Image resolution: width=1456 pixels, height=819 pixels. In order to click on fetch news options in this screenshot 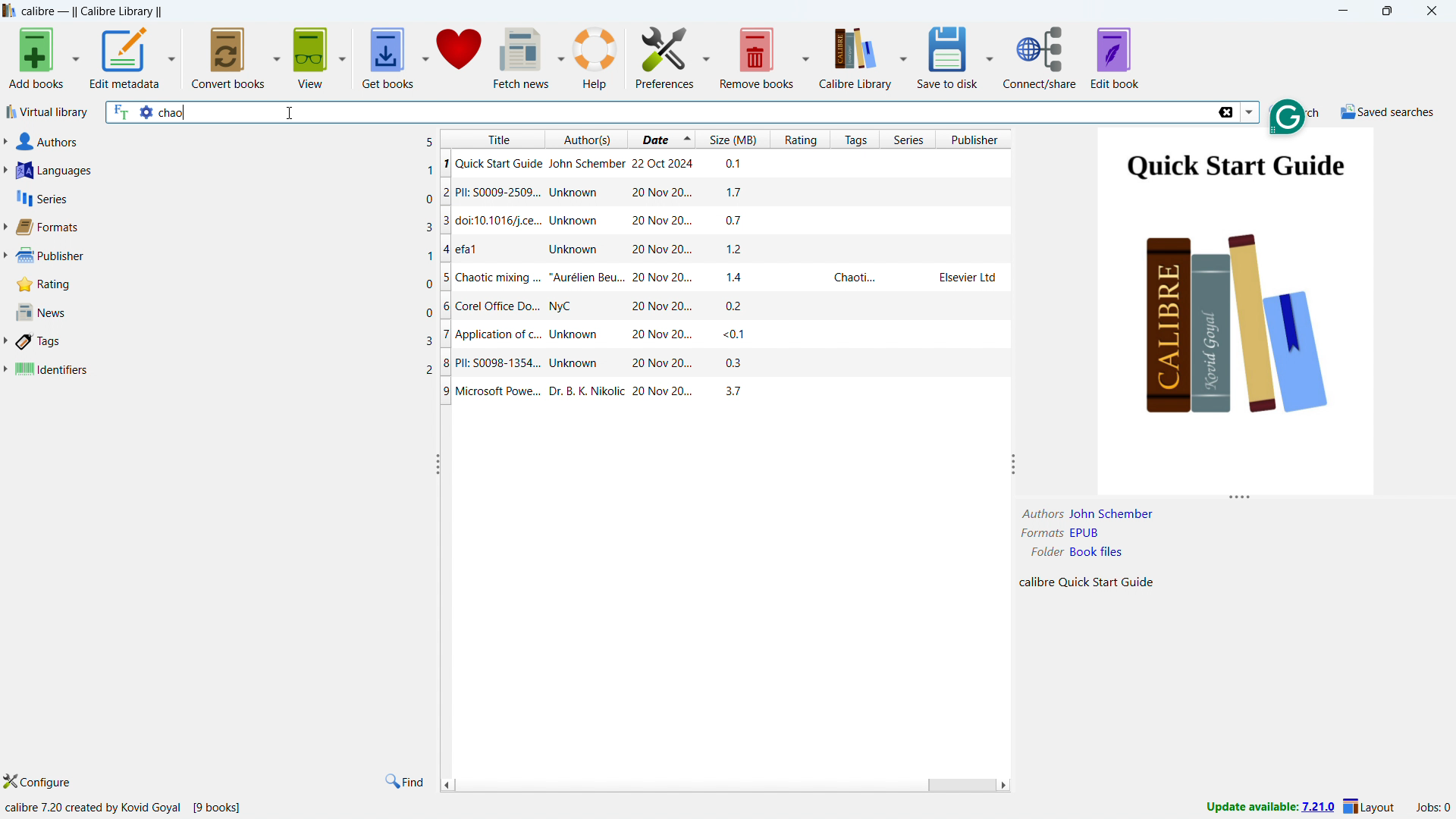, I will do `click(560, 56)`.